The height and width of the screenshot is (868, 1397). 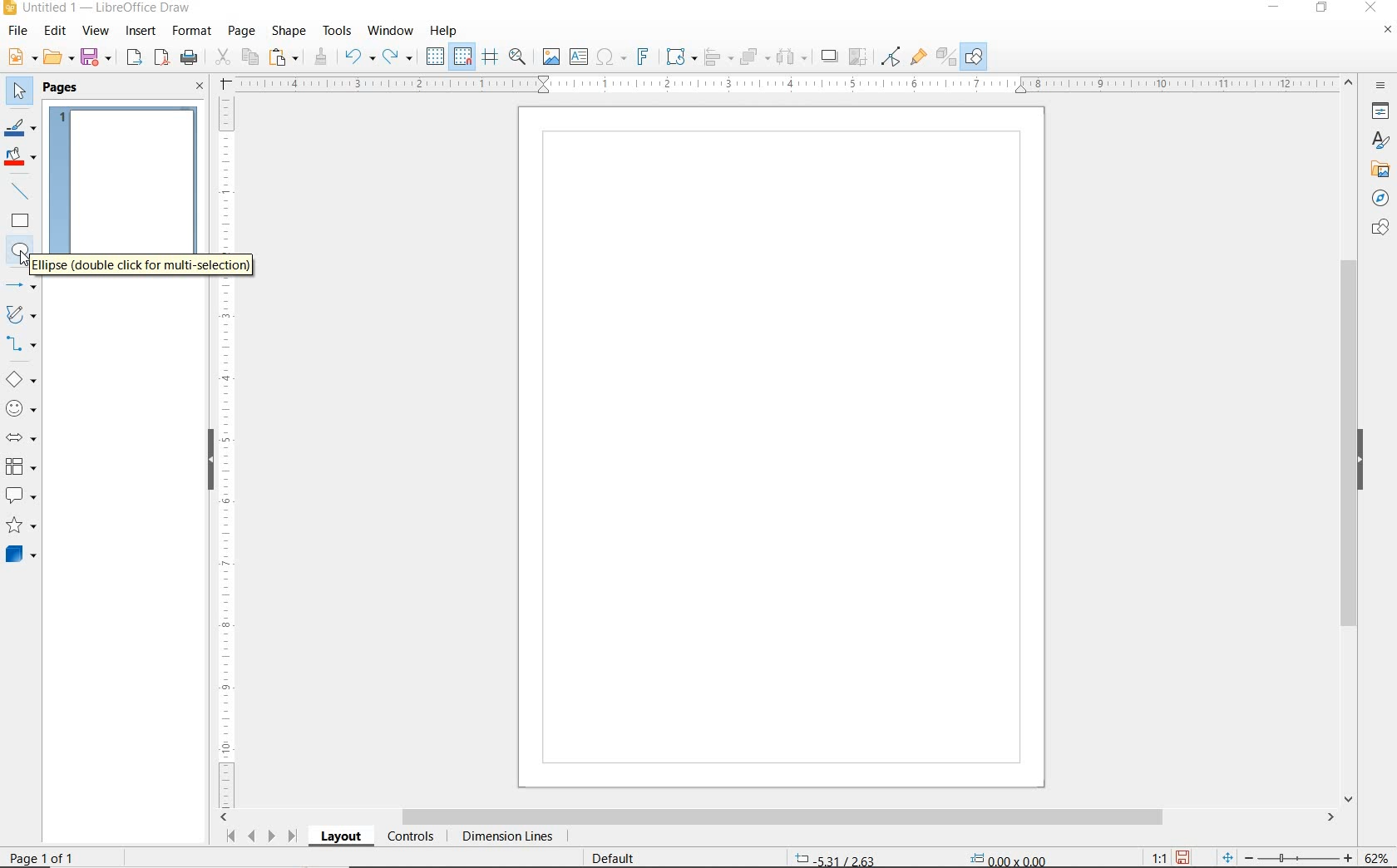 What do you see at coordinates (505, 838) in the screenshot?
I see `DIMENSION LINES` at bounding box center [505, 838].